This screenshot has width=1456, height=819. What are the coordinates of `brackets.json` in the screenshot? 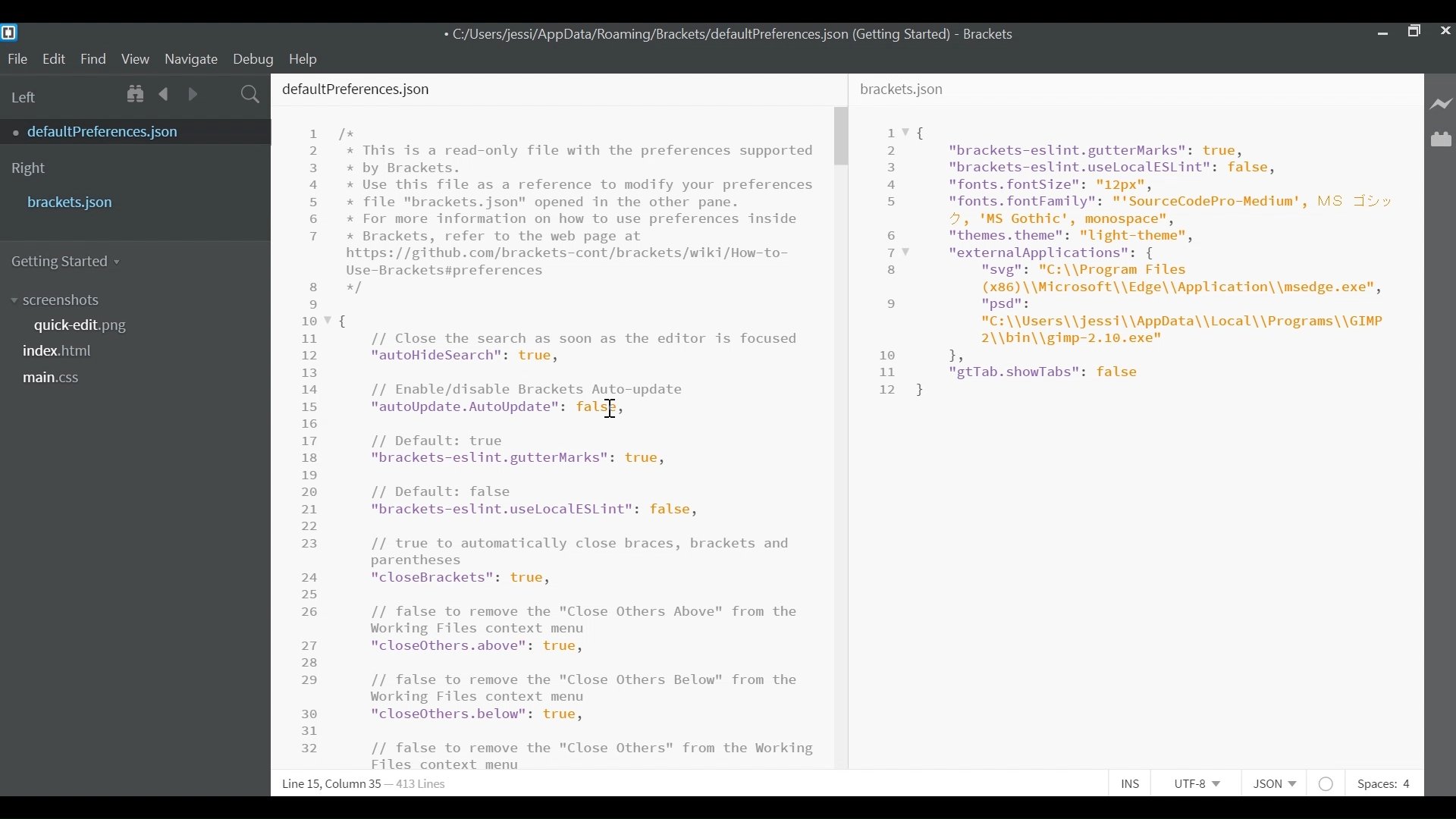 It's located at (131, 202).